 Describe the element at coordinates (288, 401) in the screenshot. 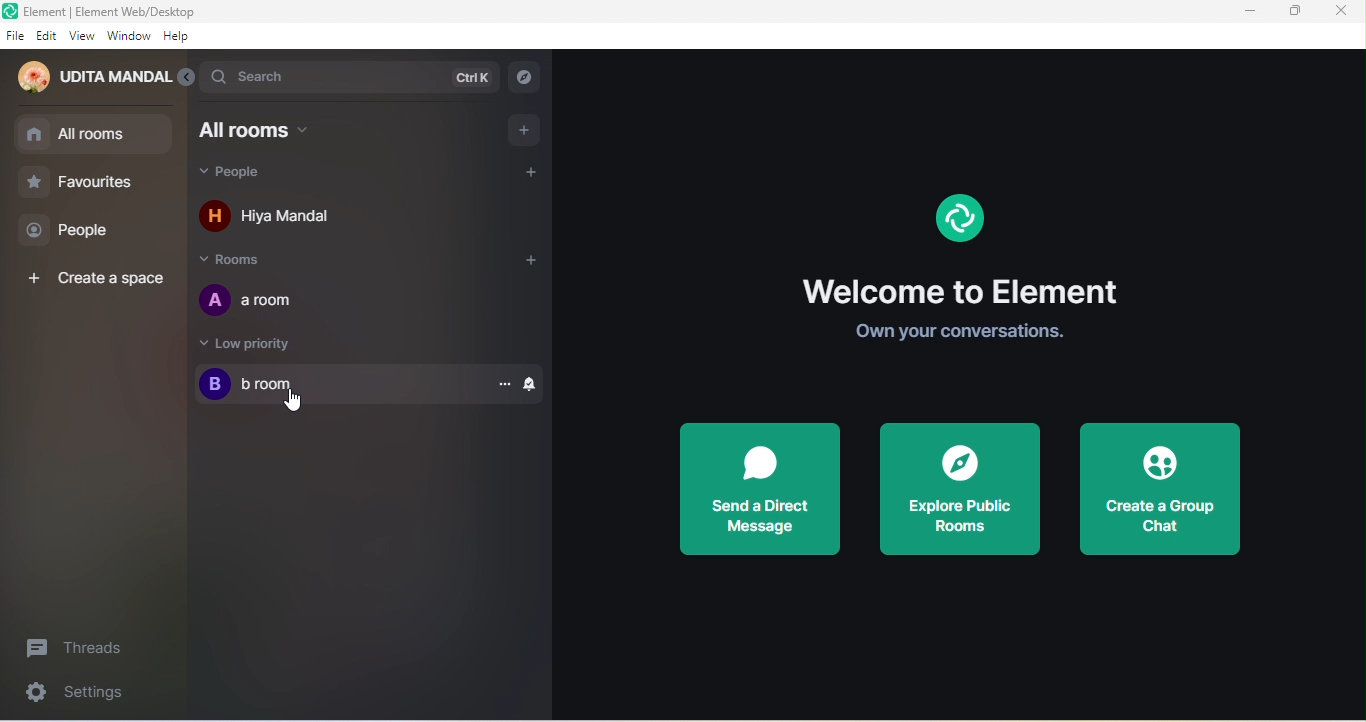

I see `cursor` at that location.